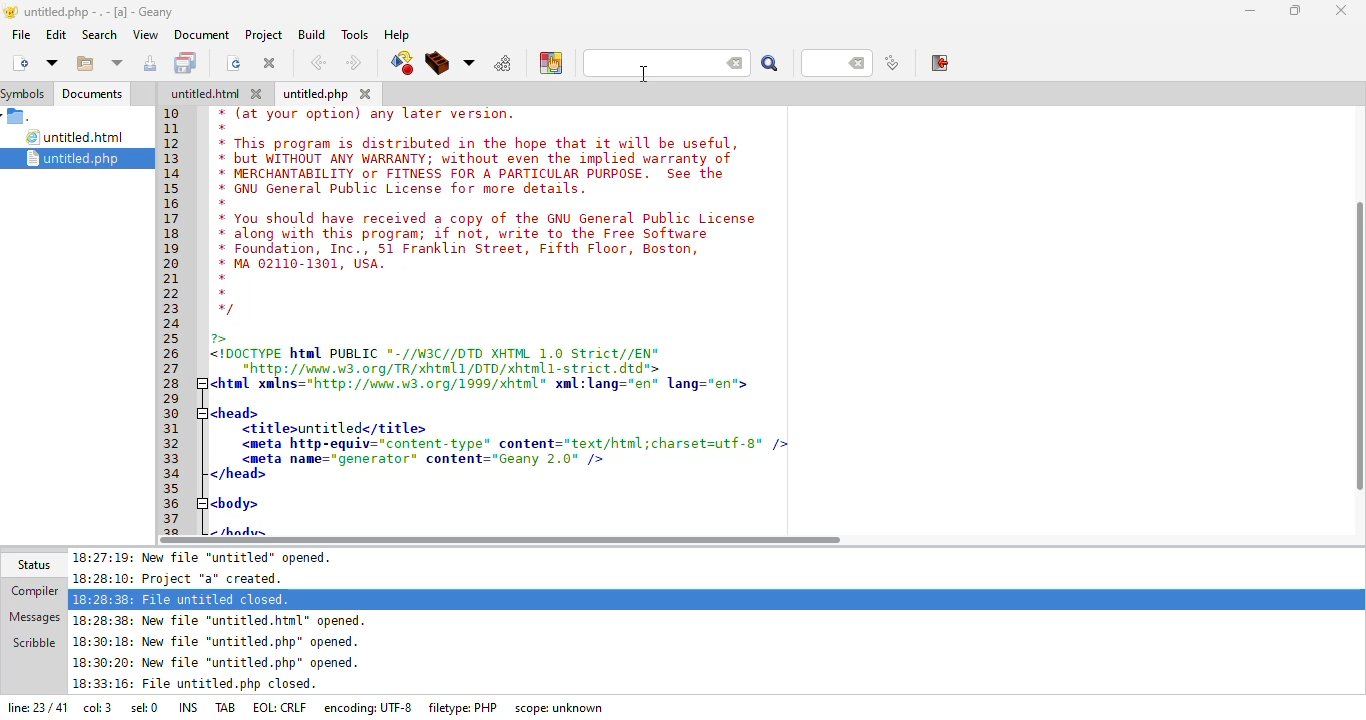 This screenshot has height=720, width=1366. I want to click on col: 3, so click(97, 710).